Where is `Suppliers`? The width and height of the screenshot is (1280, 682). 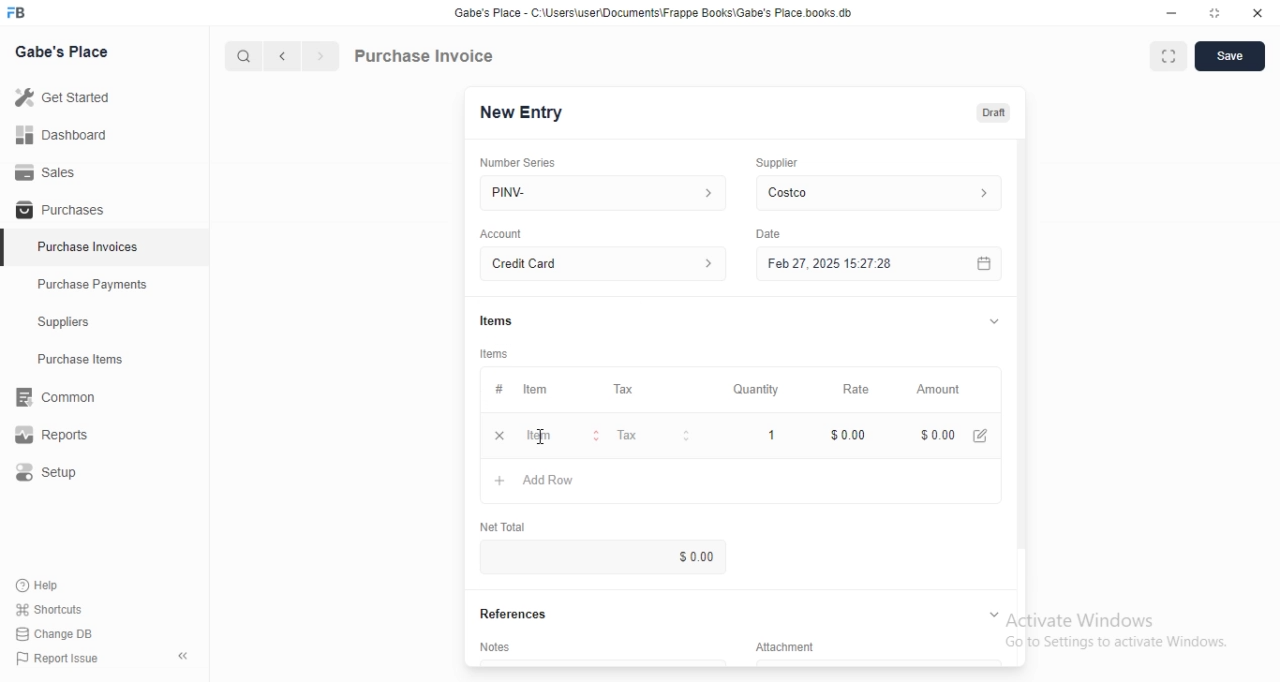 Suppliers is located at coordinates (104, 321).